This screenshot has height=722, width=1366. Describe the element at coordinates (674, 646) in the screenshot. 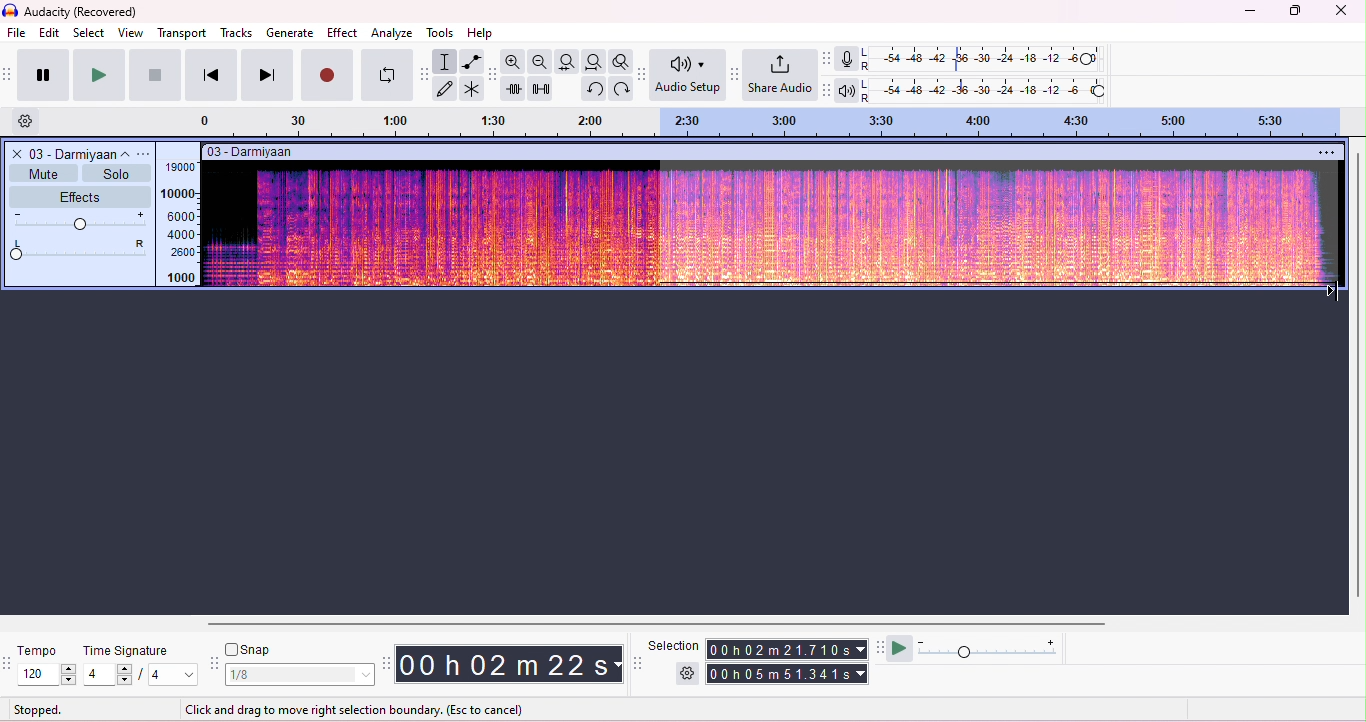

I see `selection` at that location.